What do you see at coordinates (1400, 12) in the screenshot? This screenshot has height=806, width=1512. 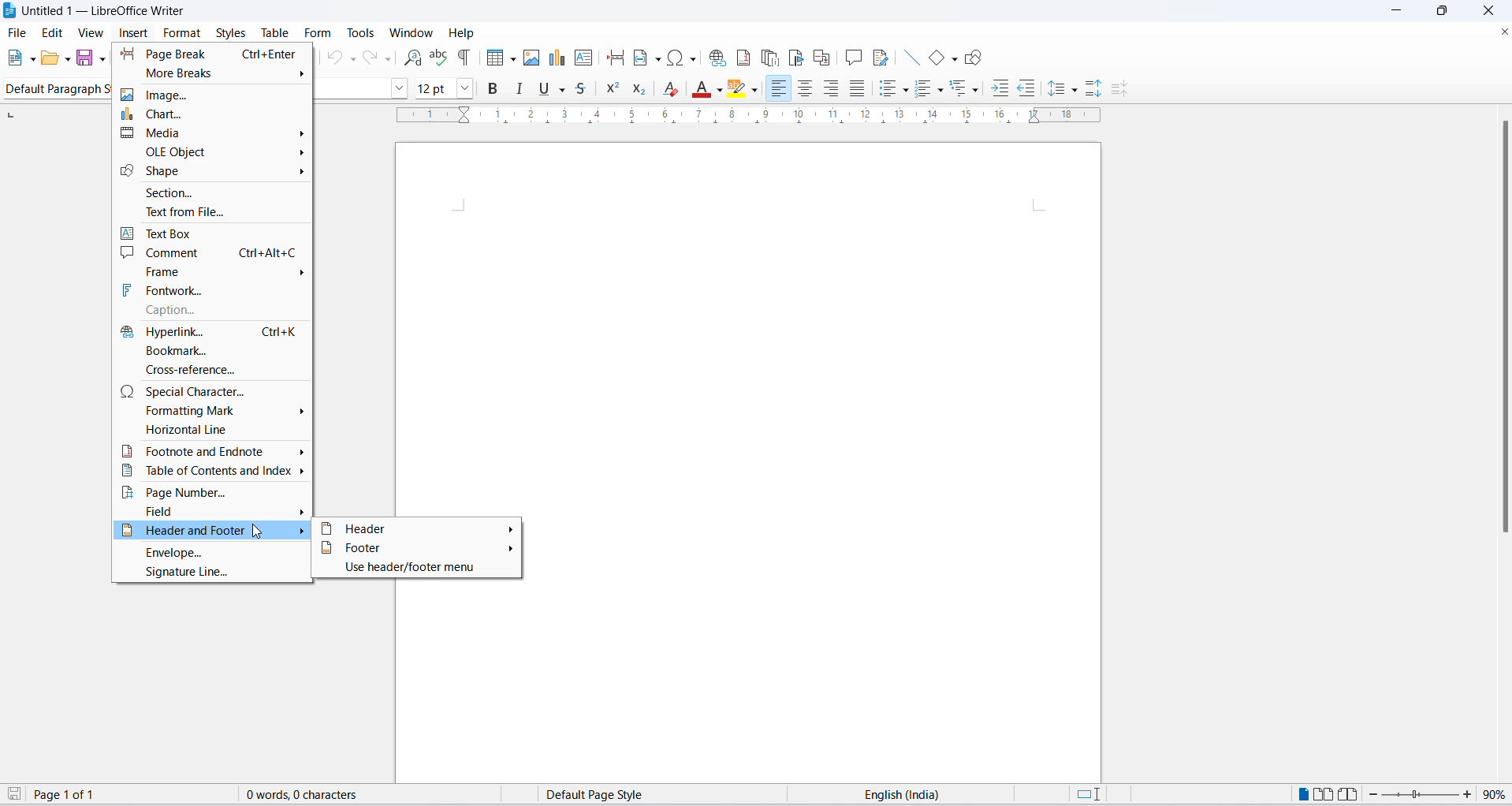 I see `minimize` at bounding box center [1400, 12].